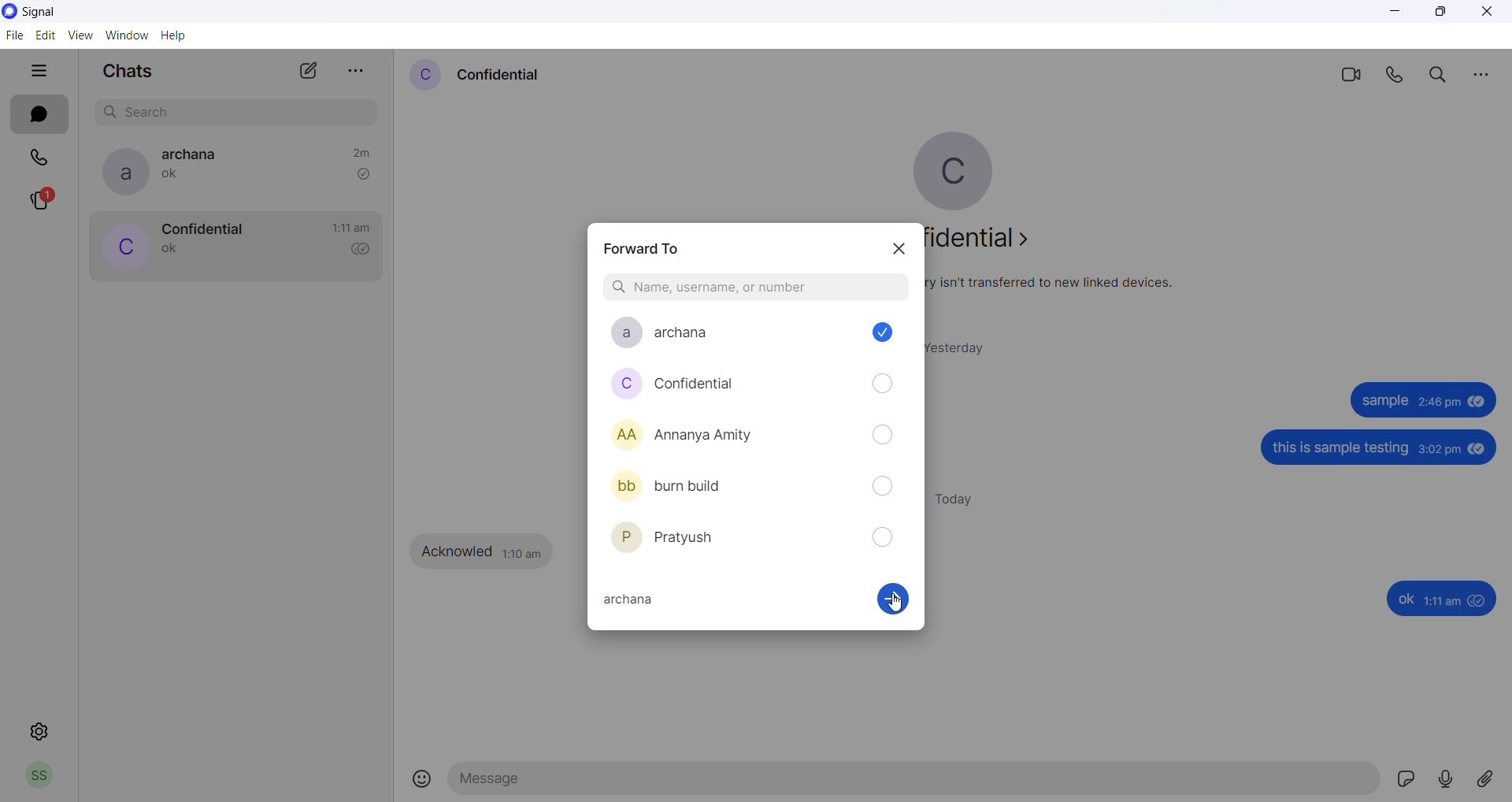 The width and height of the screenshot is (1512, 802). Describe the element at coordinates (46, 35) in the screenshot. I see `edit` at that location.